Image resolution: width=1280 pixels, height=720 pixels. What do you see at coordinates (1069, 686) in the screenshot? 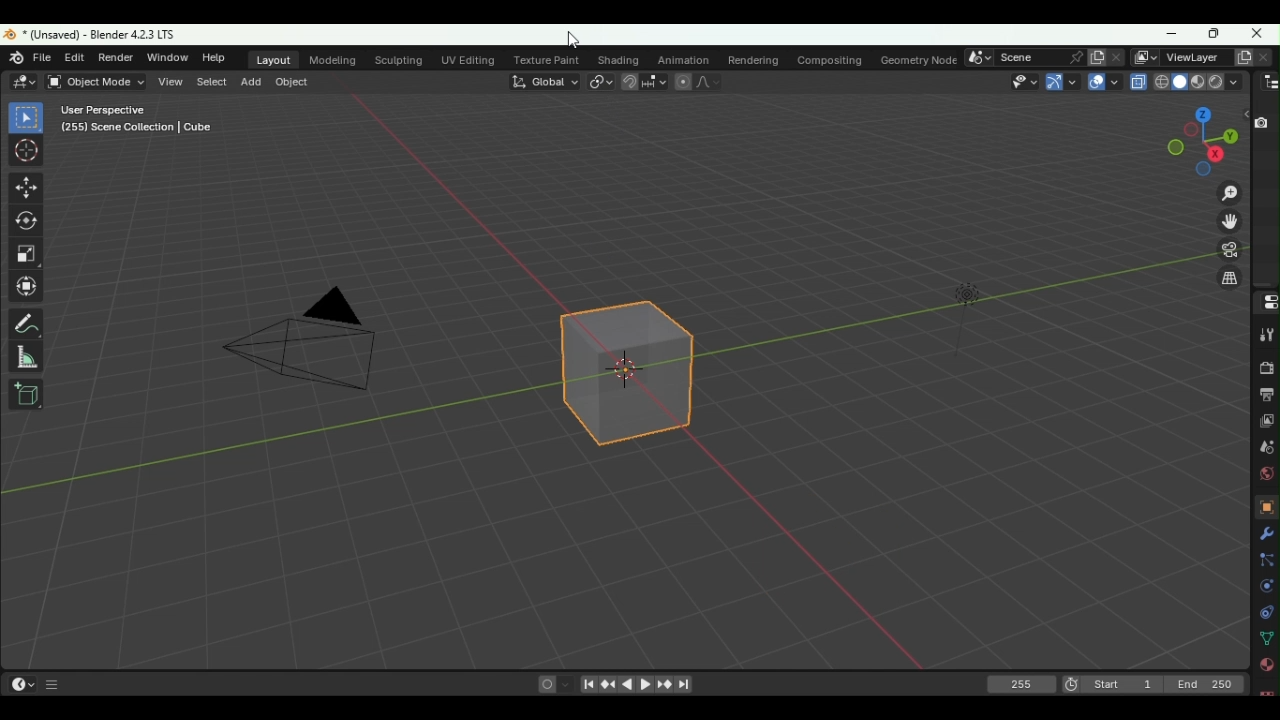
I see `Use preview range` at bounding box center [1069, 686].